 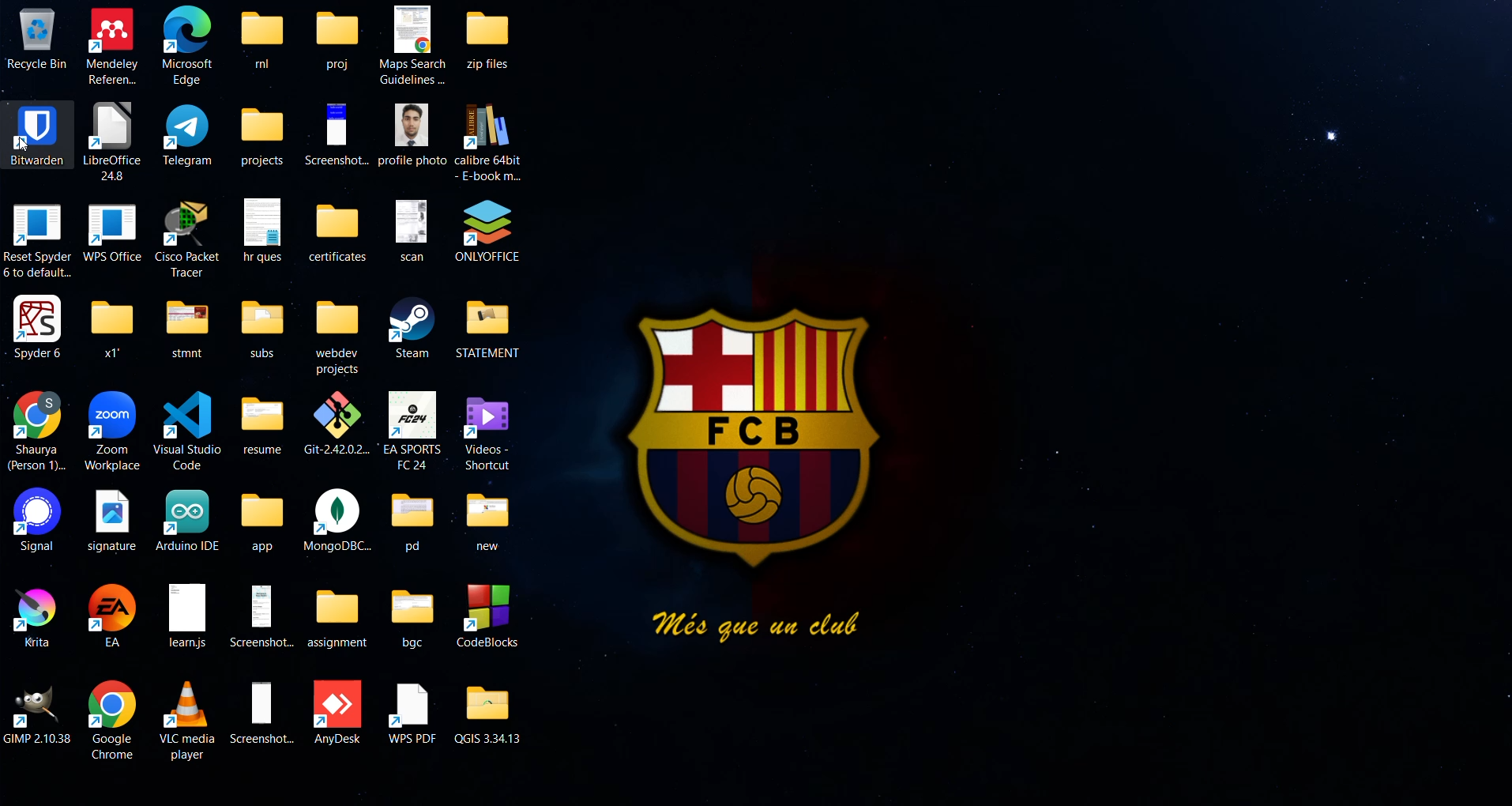 What do you see at coordinates (38, 431) in the screenshot?
I see `Shaurya(Person 1)...` at bounding box center [38, 431].